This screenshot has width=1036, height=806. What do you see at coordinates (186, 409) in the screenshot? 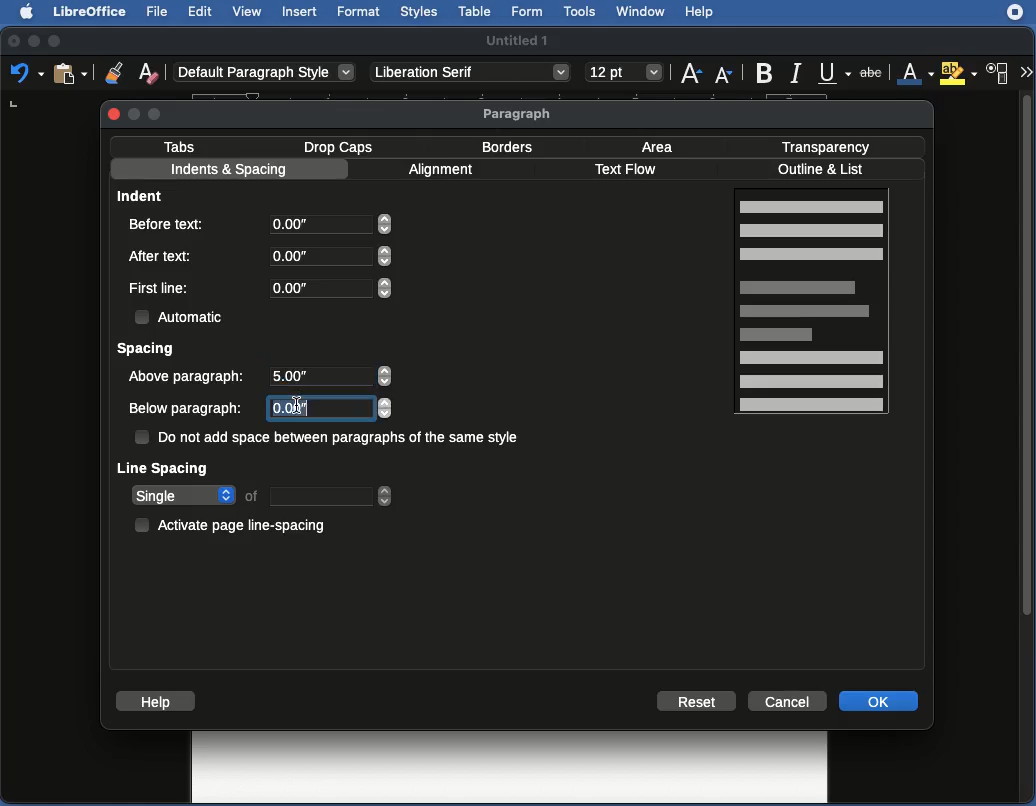
I see `Below paragraph ` at bounding box center [186, 409].